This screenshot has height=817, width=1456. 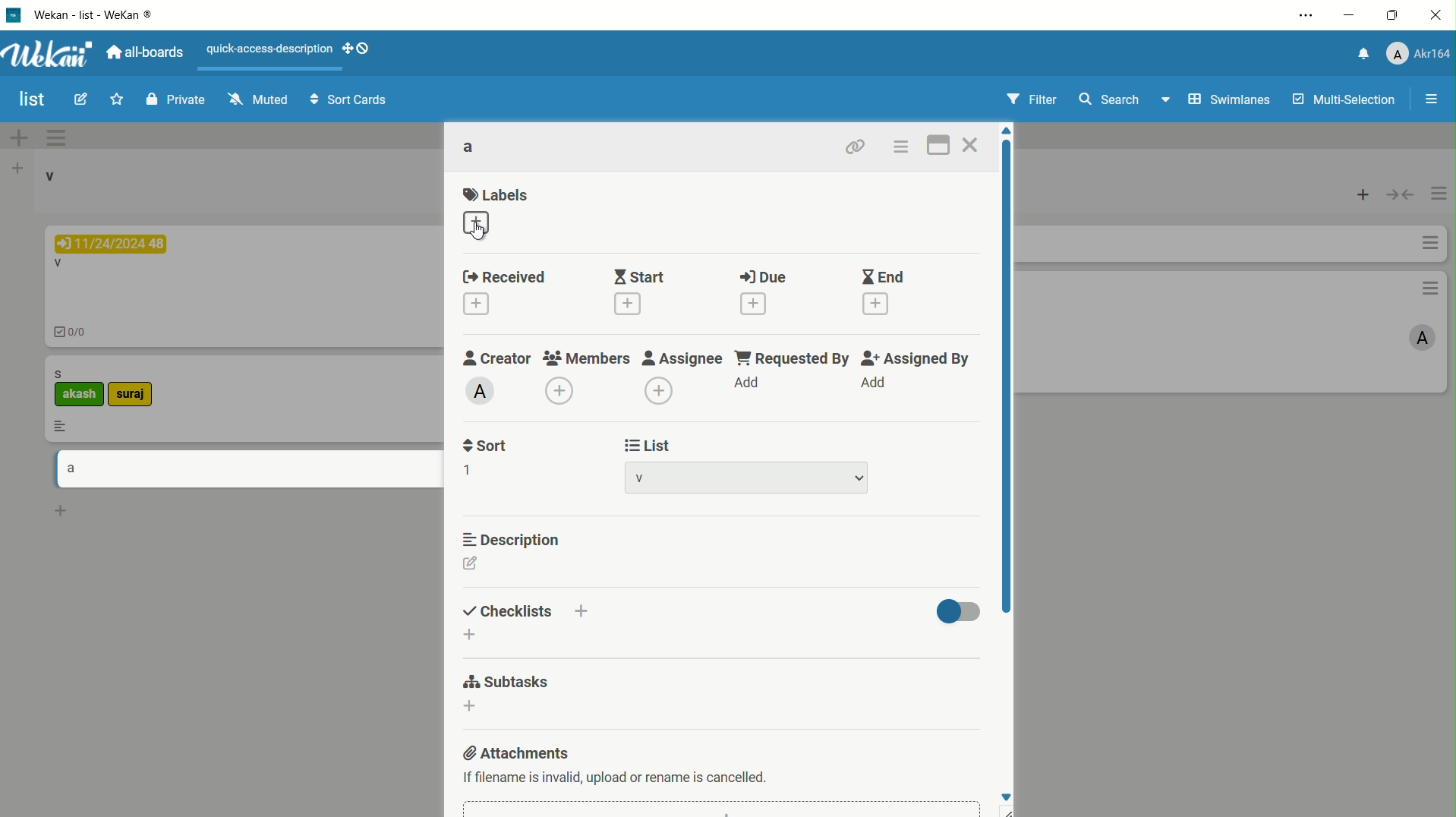 I want to click on toggle button, so click(x=960, y=611).